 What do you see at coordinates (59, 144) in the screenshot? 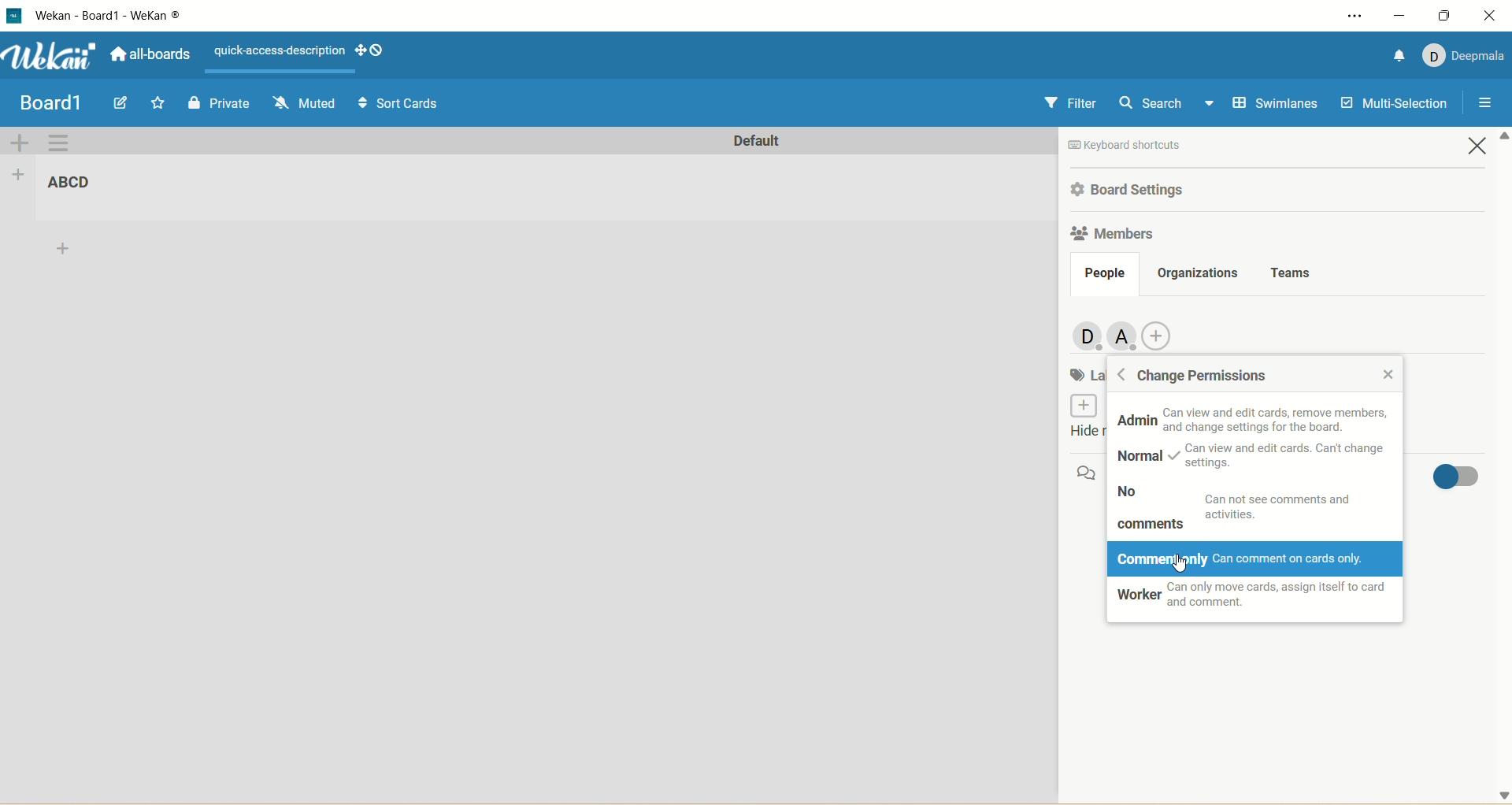
I see `swimlane actions` at bounding box center [59, 144].